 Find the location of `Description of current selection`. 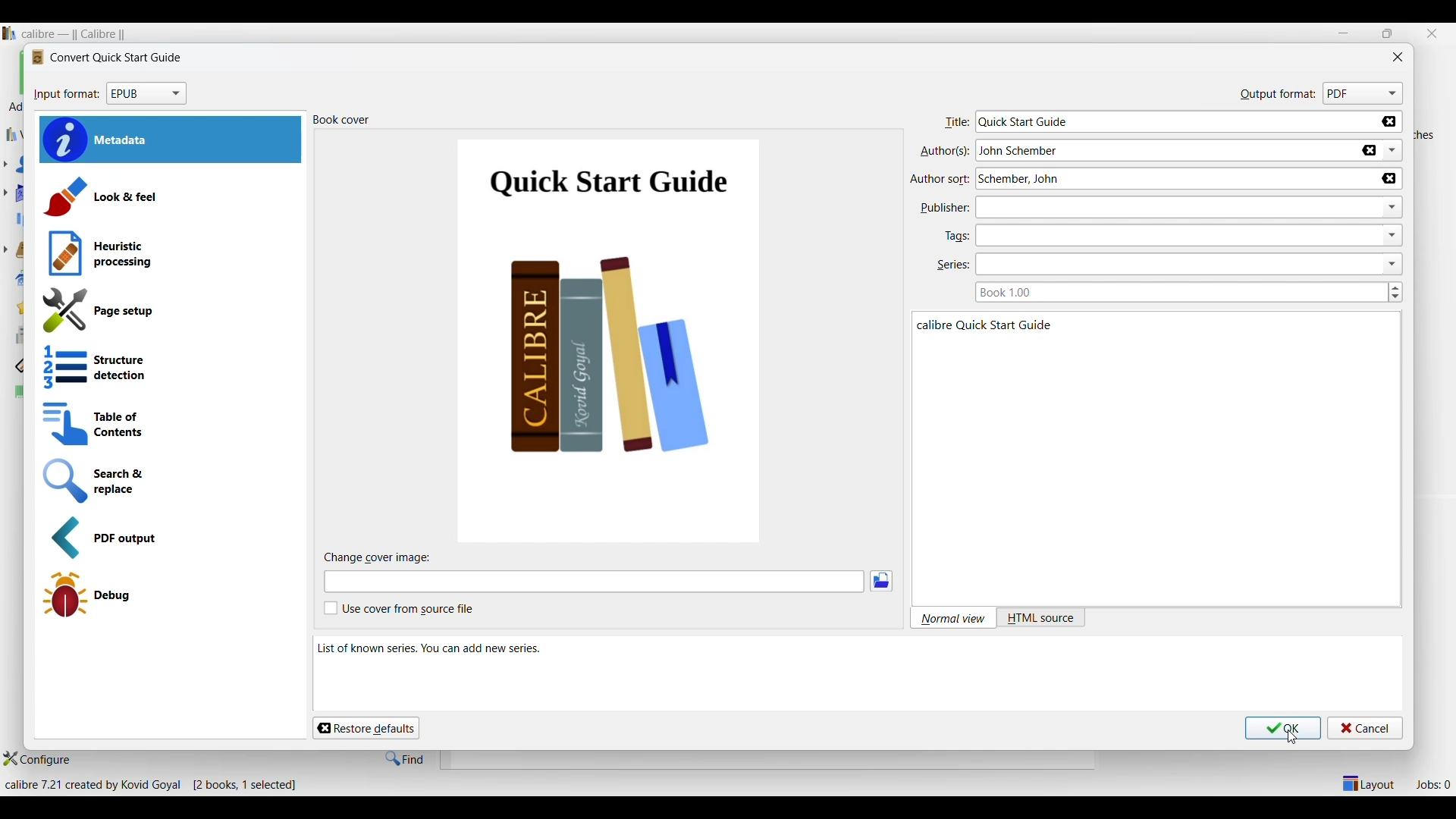

Description of current selection is located at coordinates (856, 674).